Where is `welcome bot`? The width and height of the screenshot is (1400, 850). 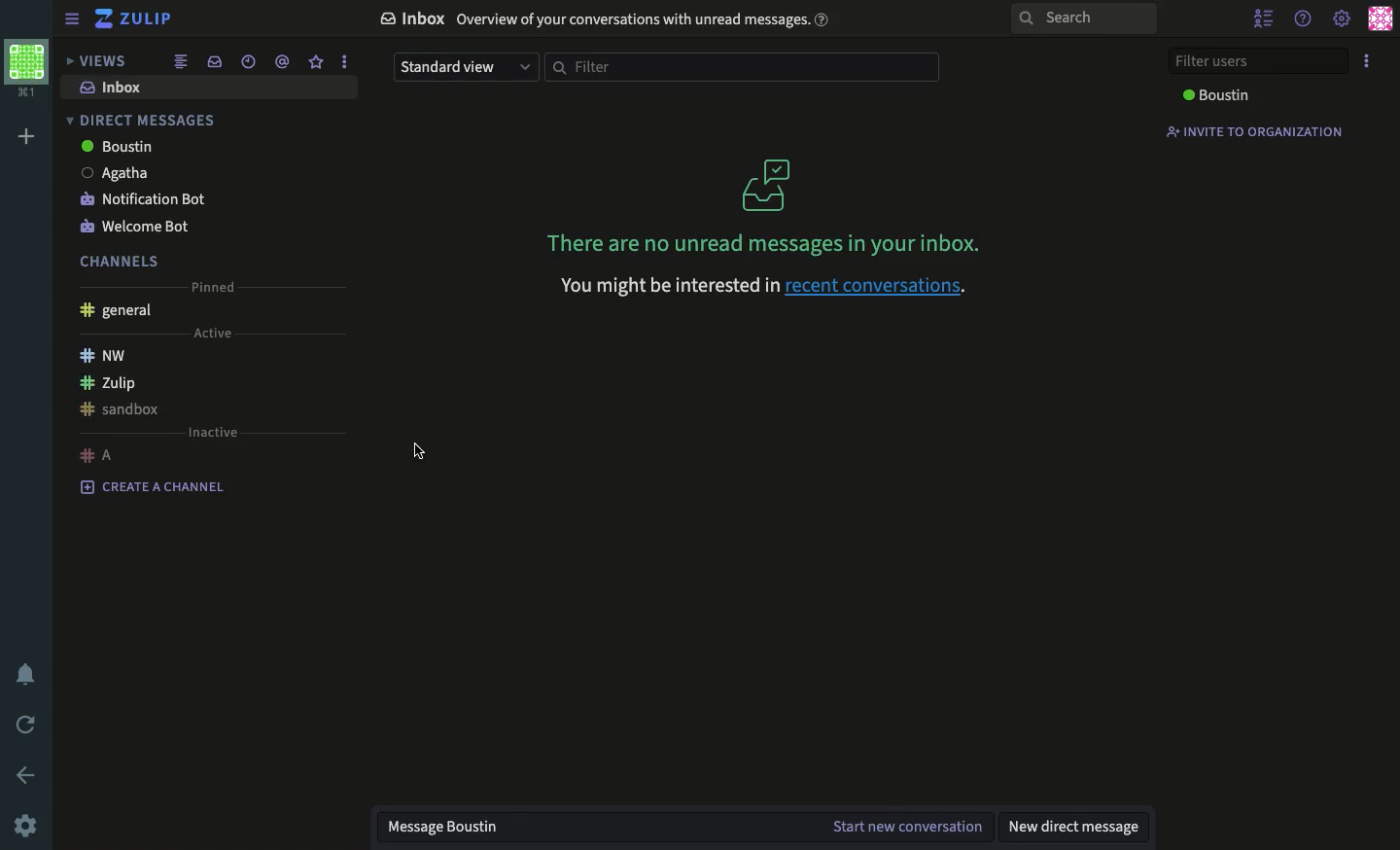
welcome bot is located at coordinates (138, 226).